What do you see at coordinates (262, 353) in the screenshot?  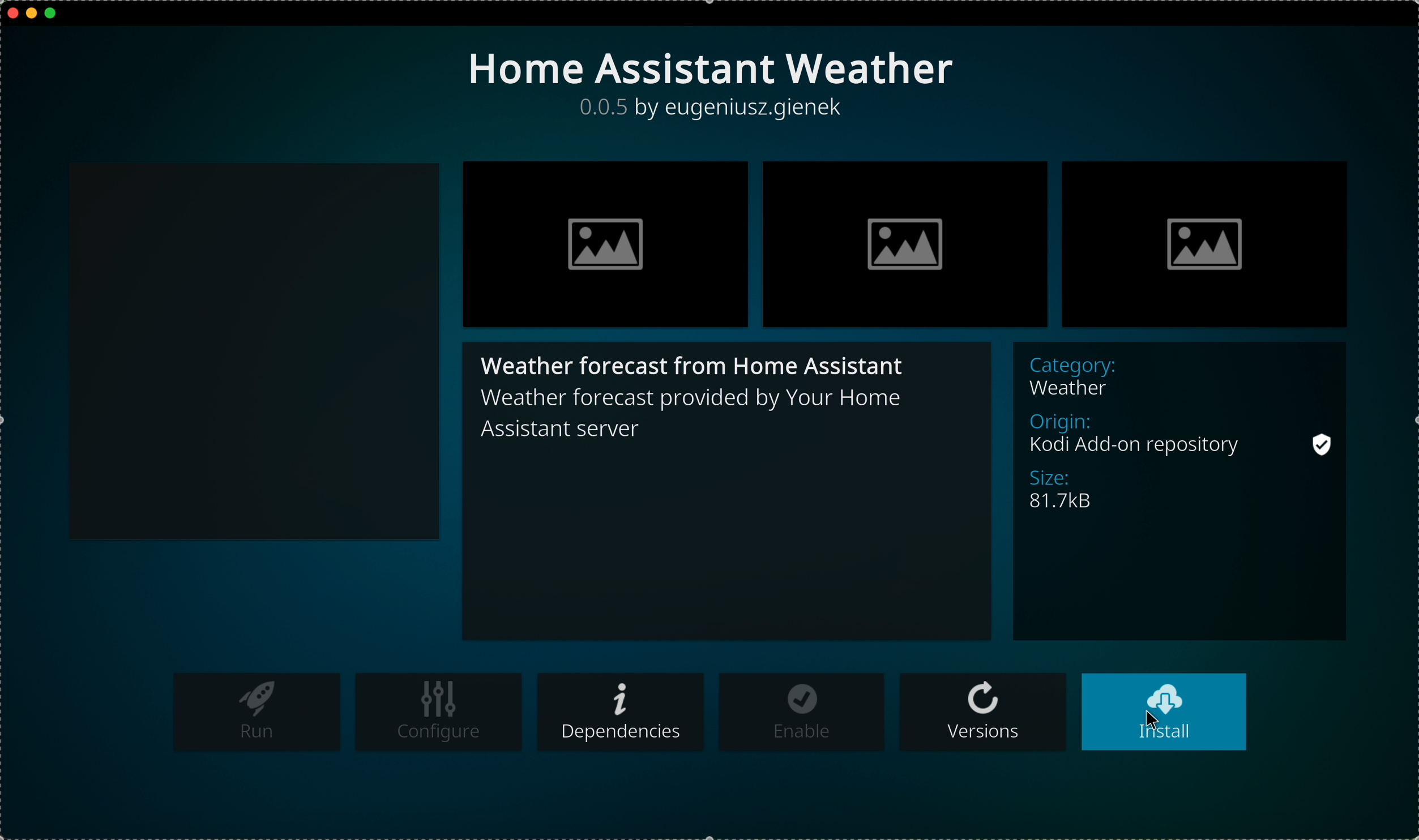 I see `black square` at bounding box center [262, 353].